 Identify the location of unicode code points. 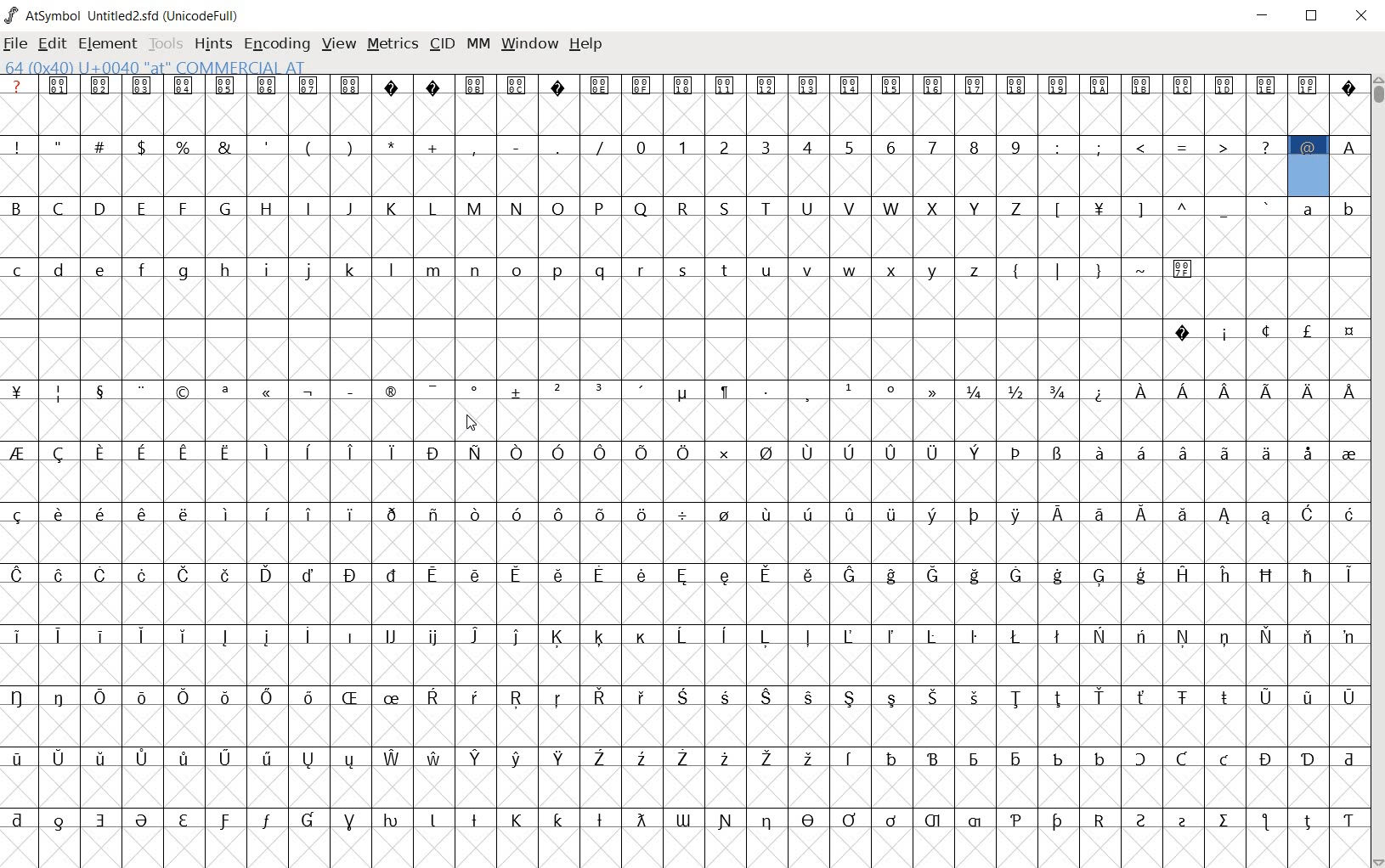
(204, 85).